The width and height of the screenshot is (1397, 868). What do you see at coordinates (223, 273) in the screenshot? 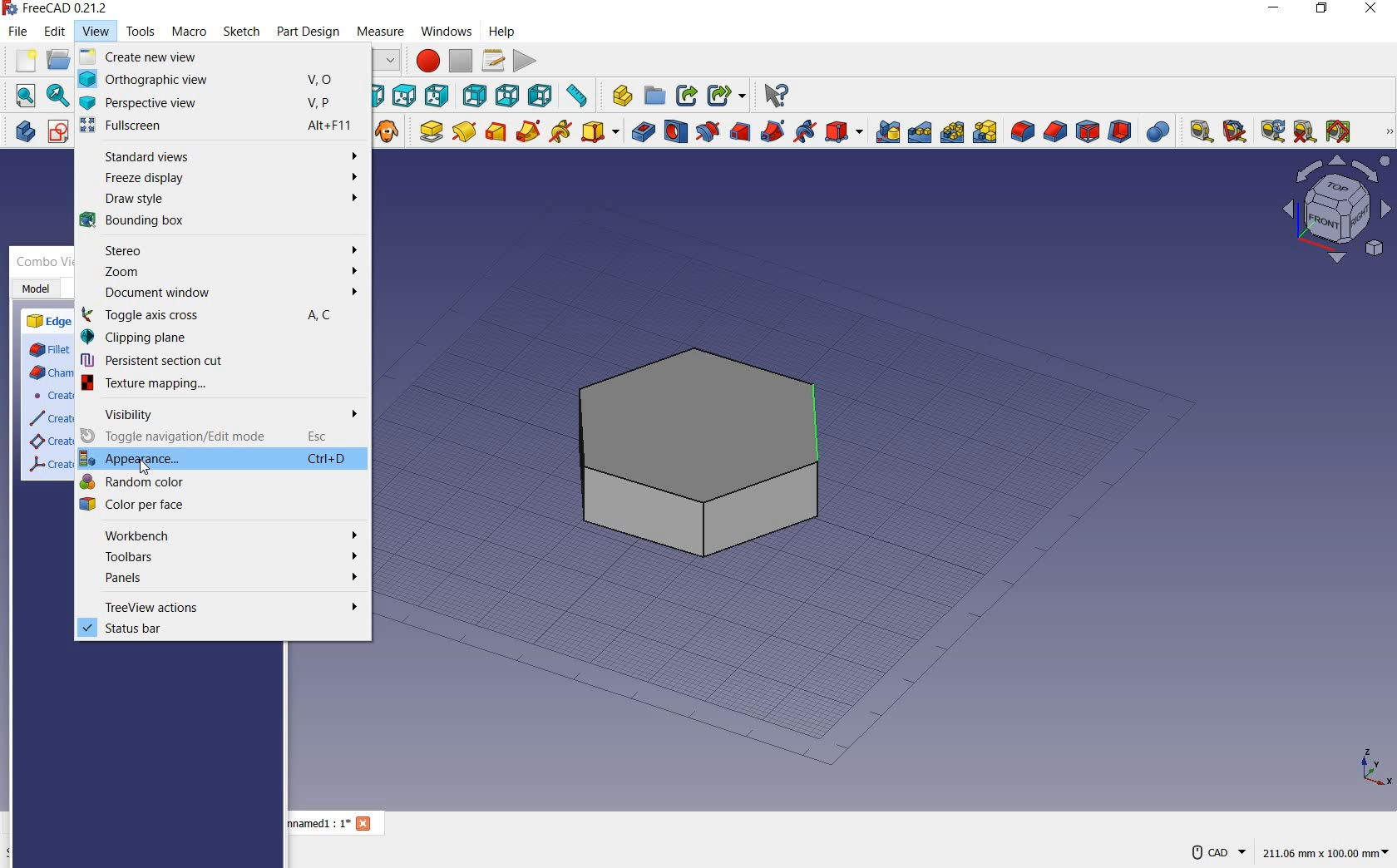
I see `zoom` at bounding box center [223, 273].